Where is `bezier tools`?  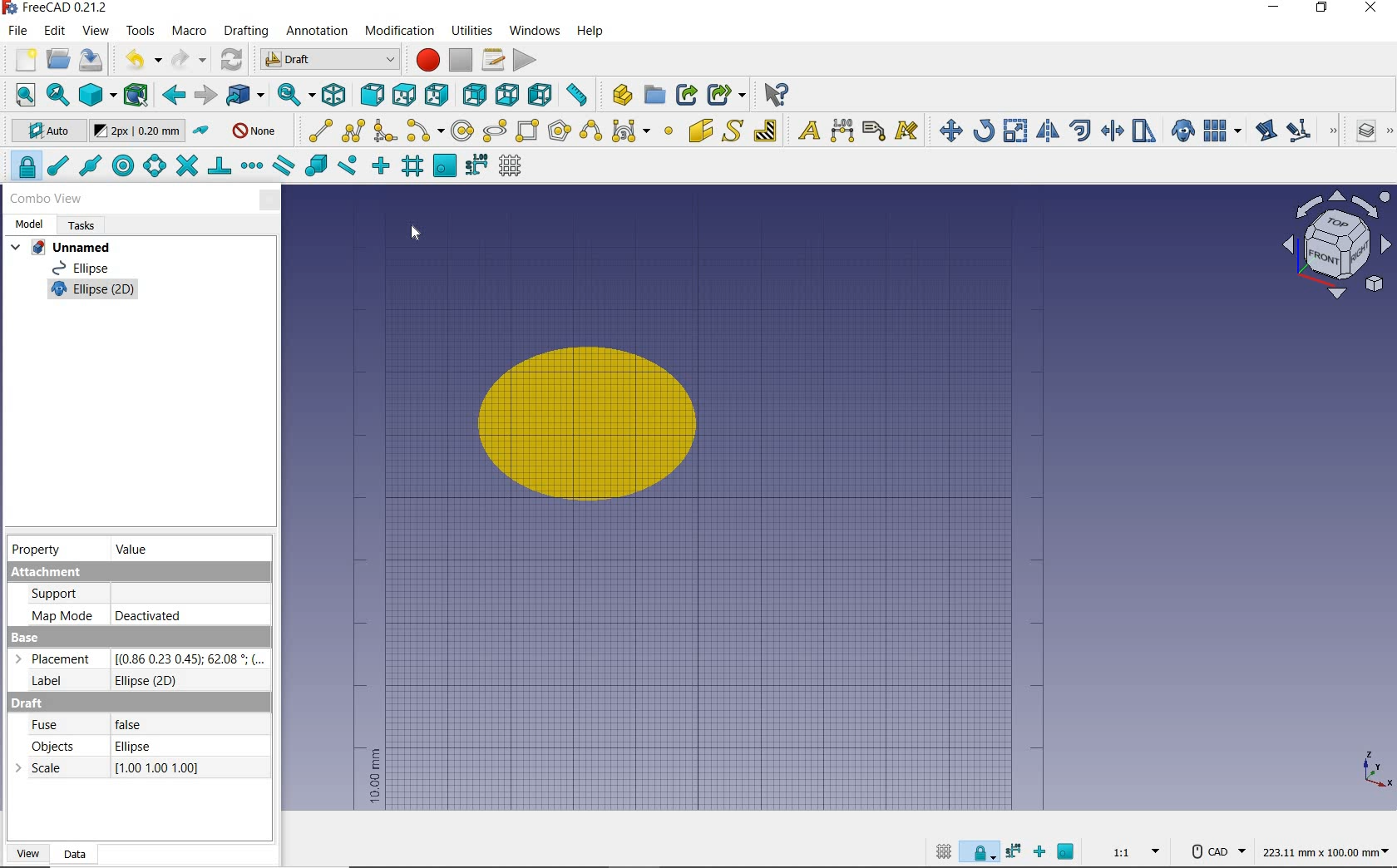 bezier tools is located at coordinates (632, 133).